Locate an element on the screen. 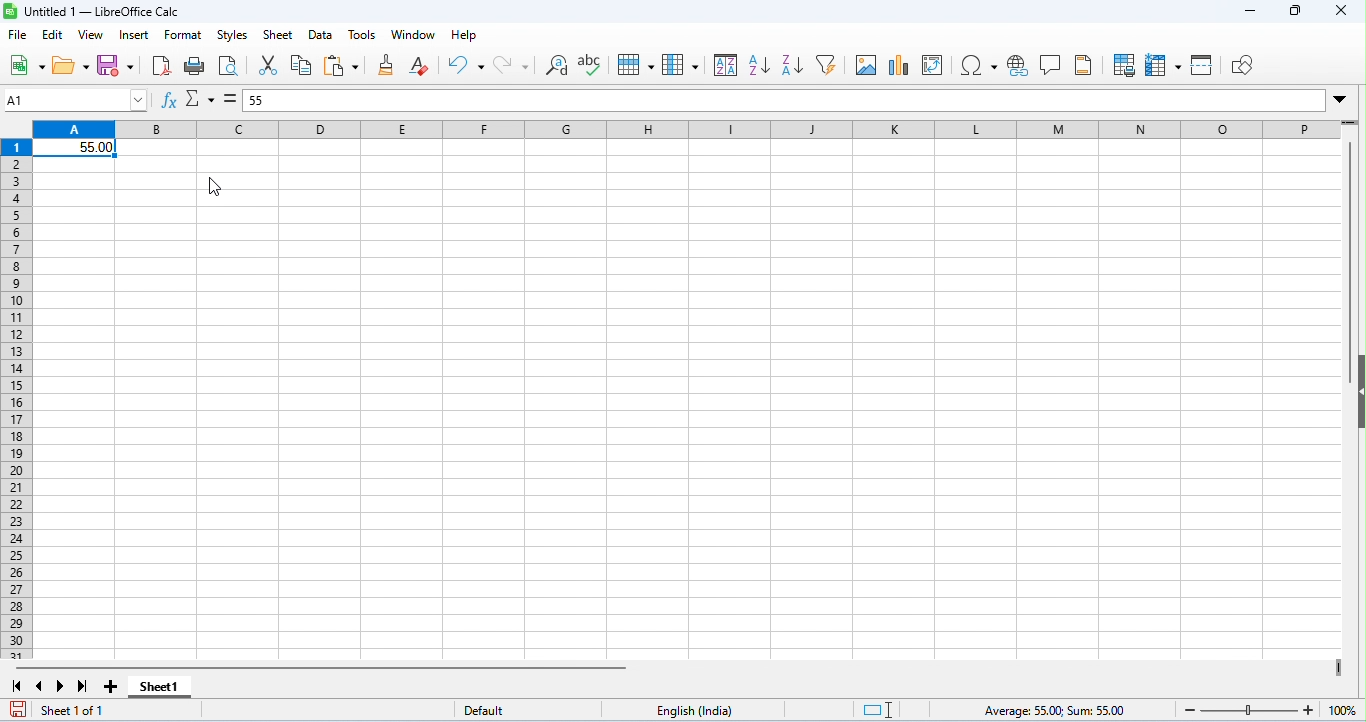  default is located at coordinates (473, 709).